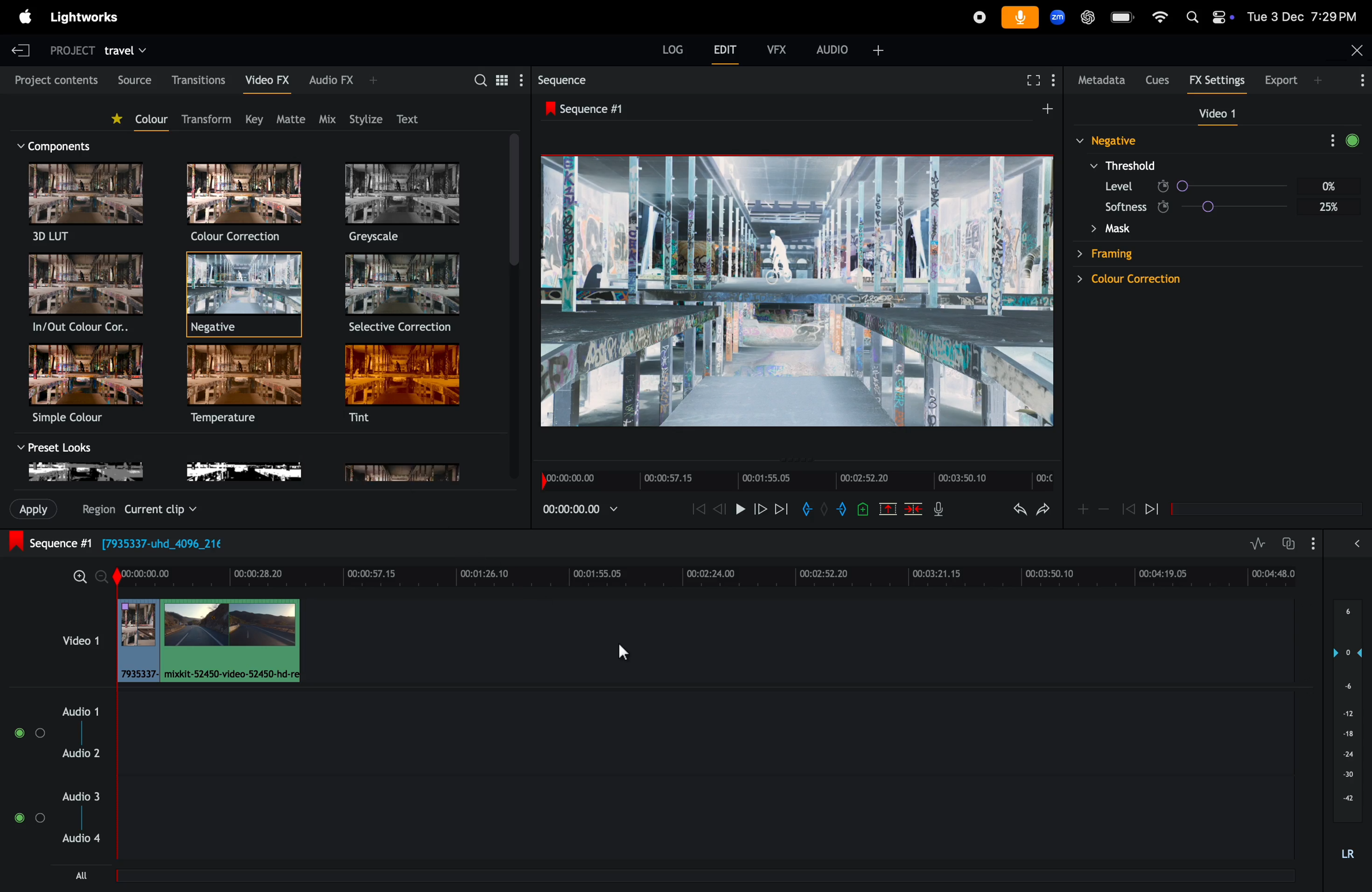 This screenshot has height=892, width=1372. Describe the element at coordinates (1329, 187) in the screenshot. I see `` at that location.